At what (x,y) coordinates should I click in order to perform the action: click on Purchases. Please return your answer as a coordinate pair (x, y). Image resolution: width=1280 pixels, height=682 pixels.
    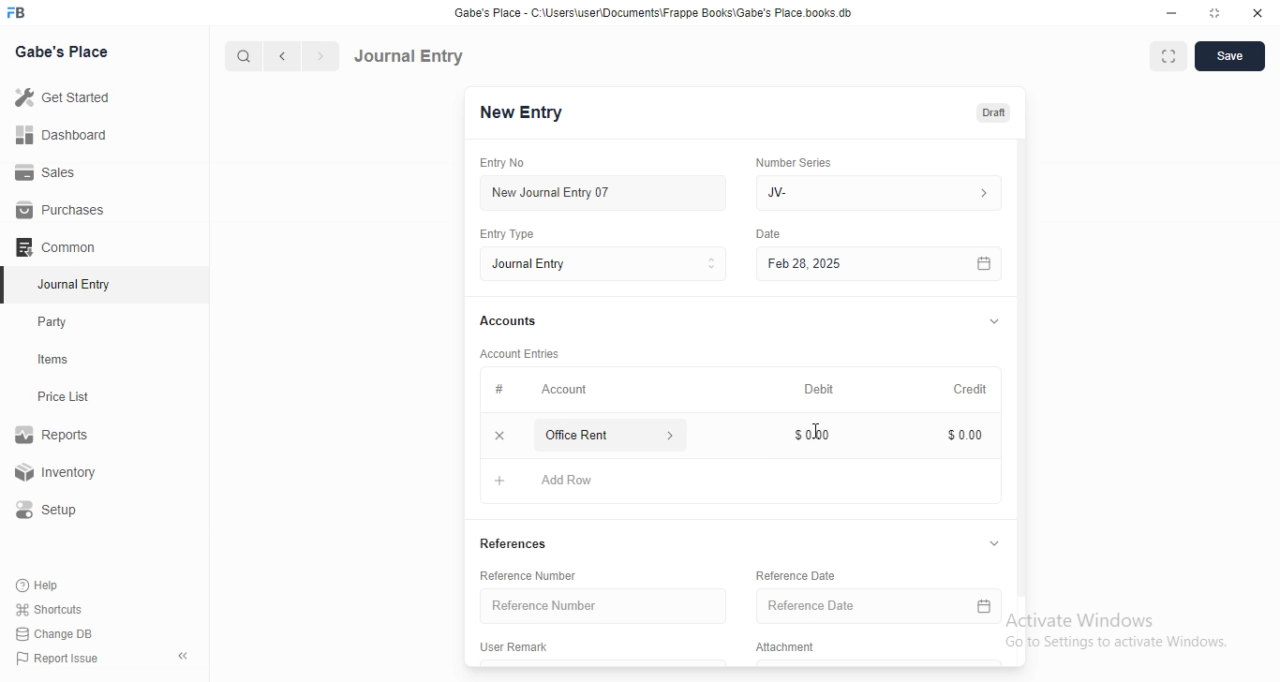
    Looking at the image, I should click on (61, 210).